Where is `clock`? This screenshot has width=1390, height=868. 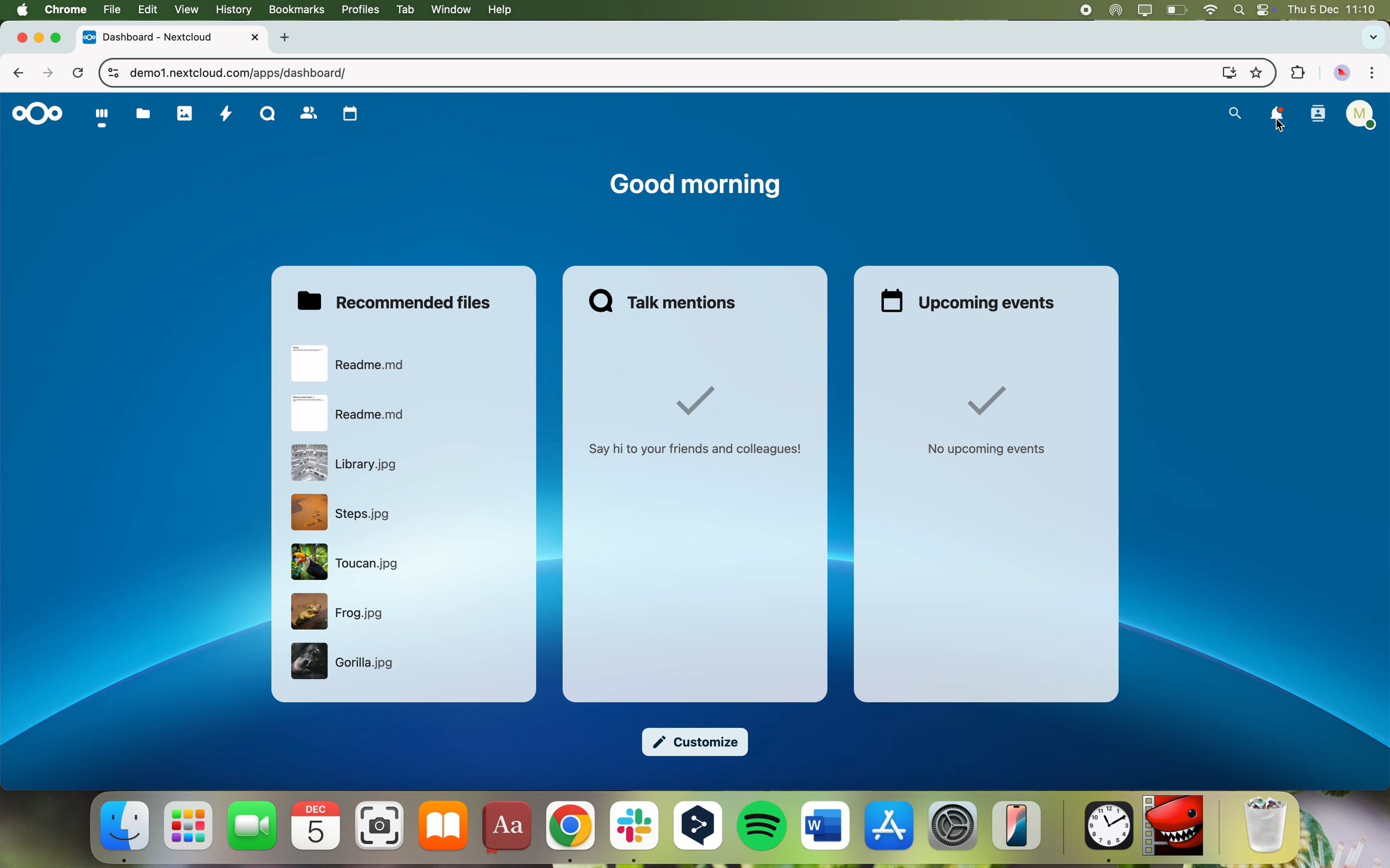 clock is located at coordinates (1106, 834).